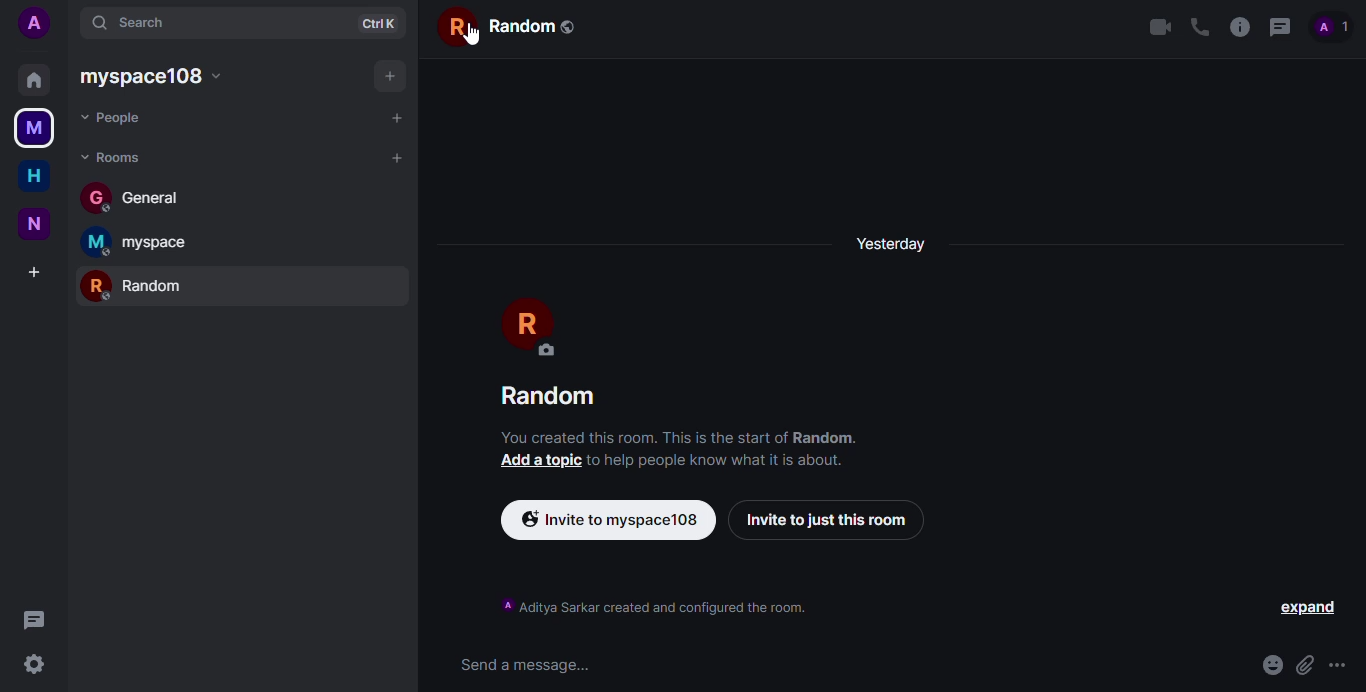  Describe the element at coordinates (388, 74) in the screenshot. I see `add` at that location.